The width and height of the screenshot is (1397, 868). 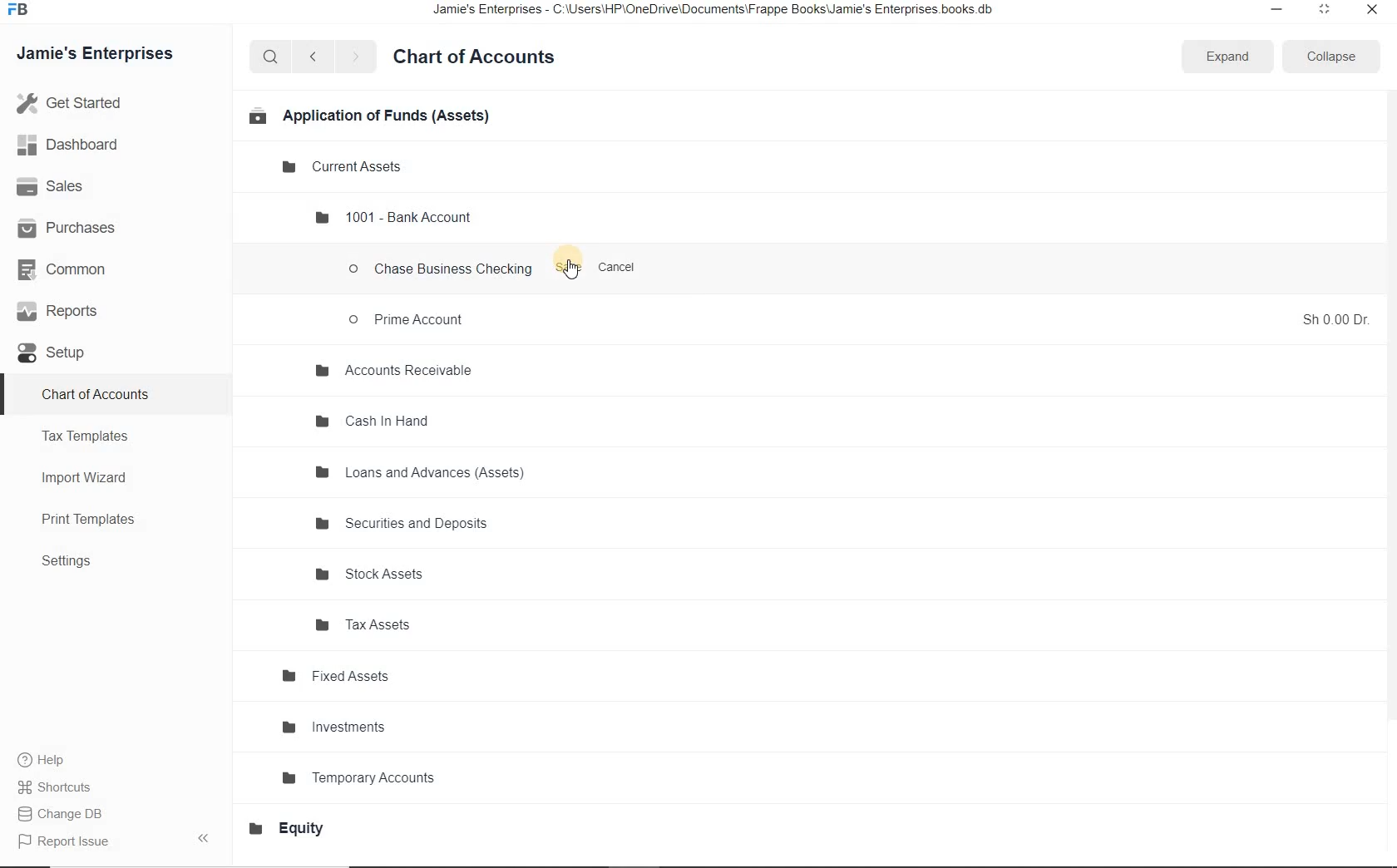 I want to click on Prime Account, so click(x=409, y=318).